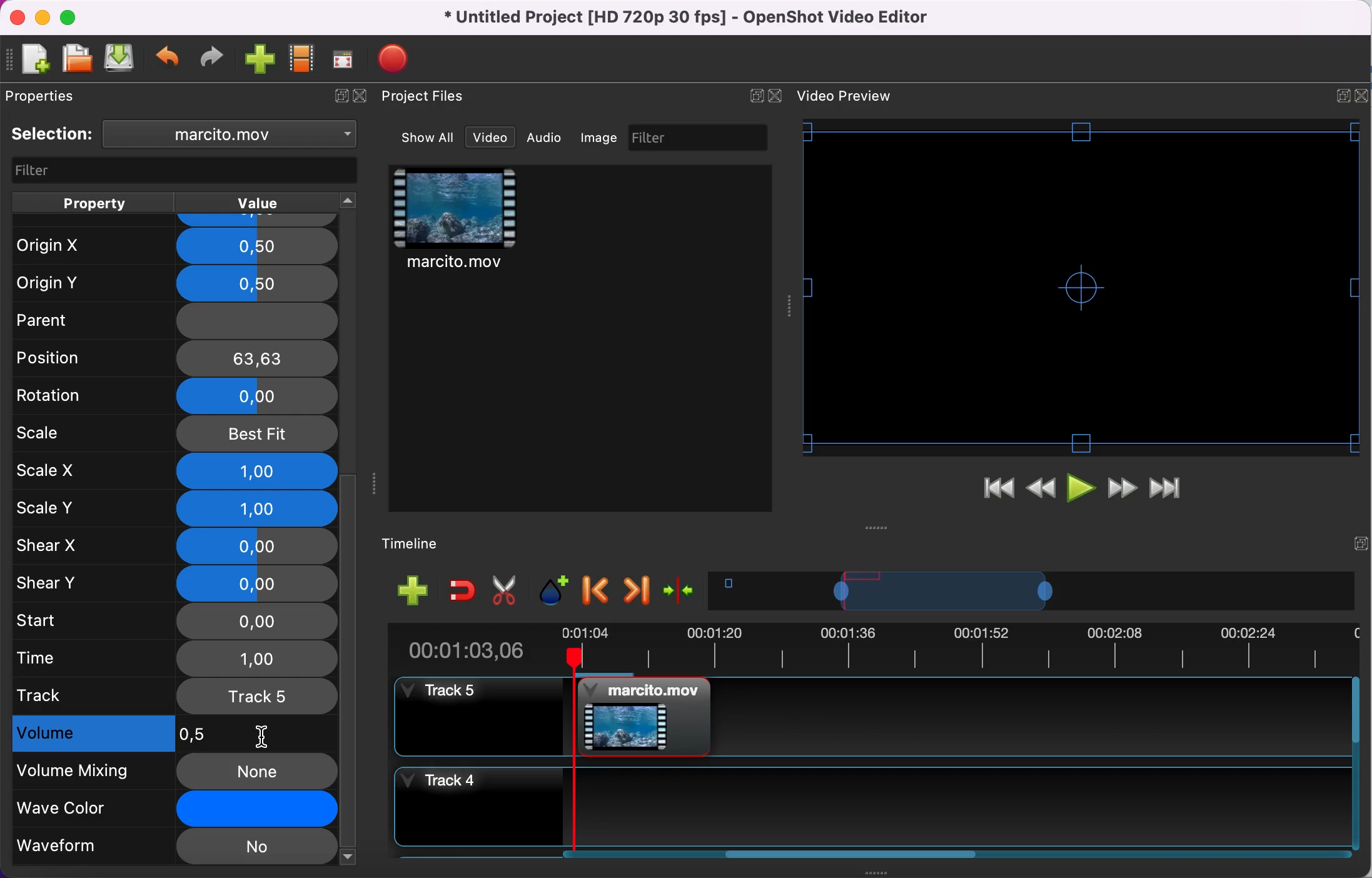 Image resolution: width=1372 pixels, height=878 pixels. What do you see at coordinates (998, 492) in the screenshot?
I see `jump to start` at bounding box center [998, 492].